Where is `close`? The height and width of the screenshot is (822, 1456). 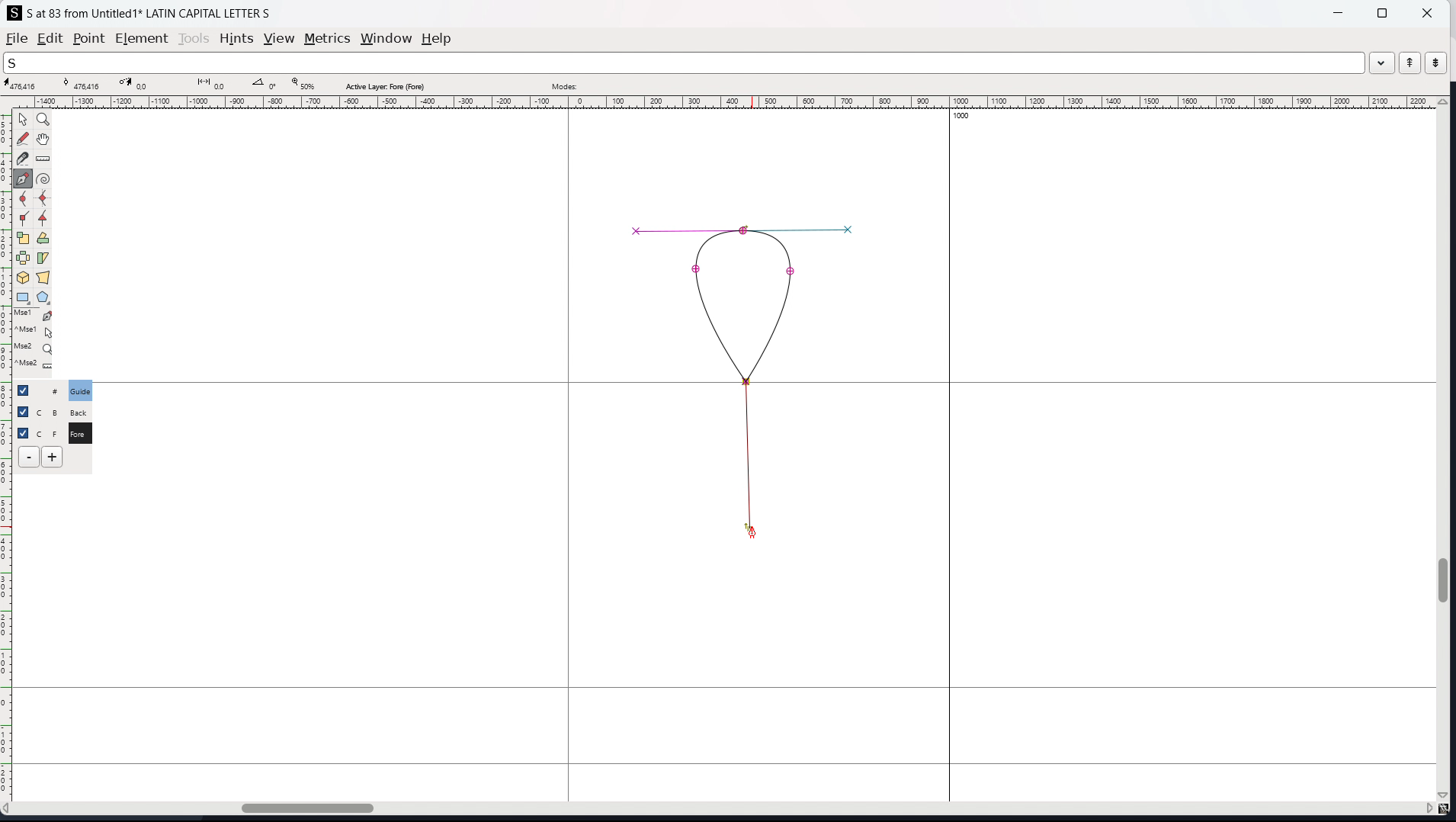
close is located at coordinates (1426, 12).